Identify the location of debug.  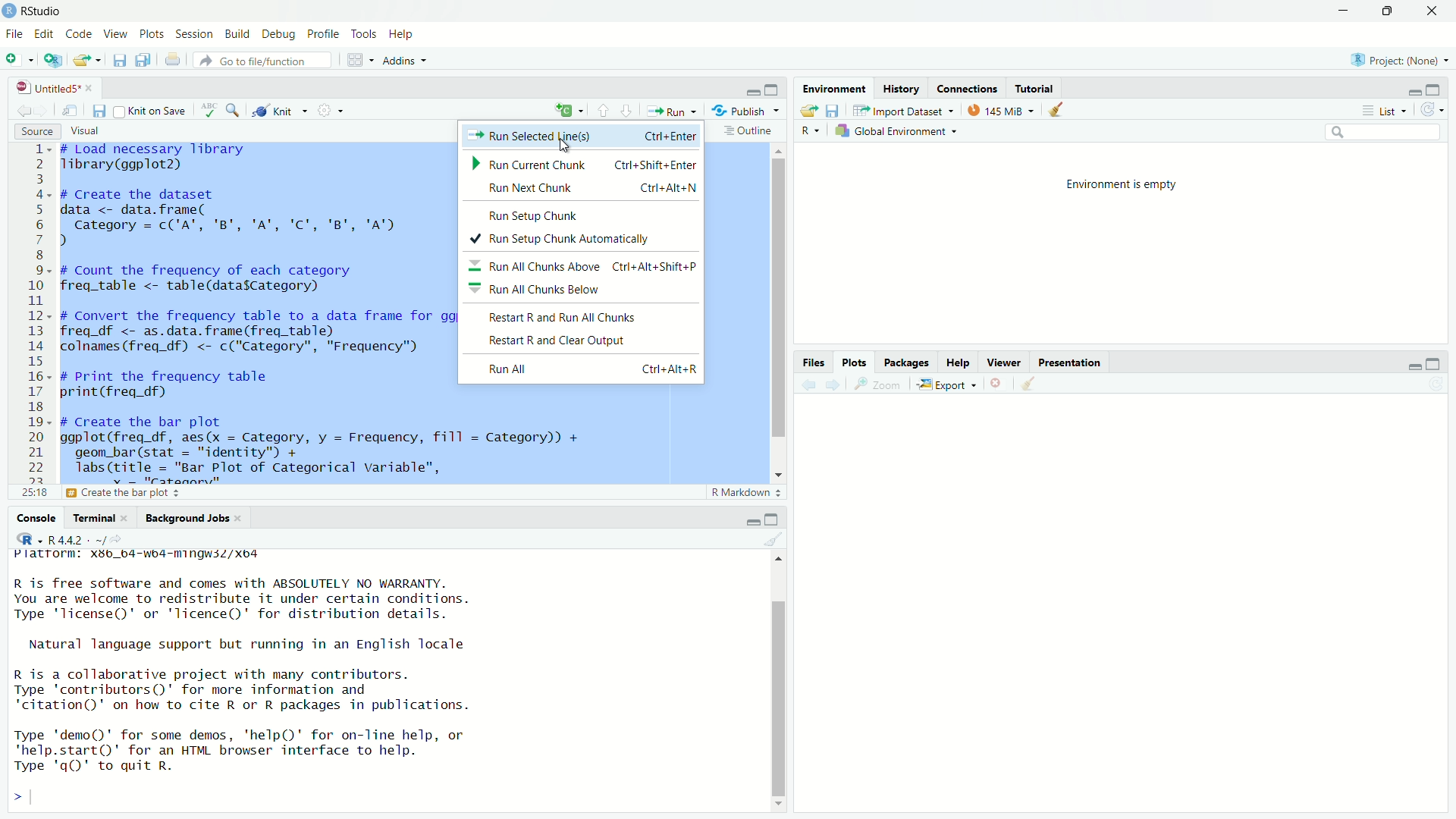
(278, 36).